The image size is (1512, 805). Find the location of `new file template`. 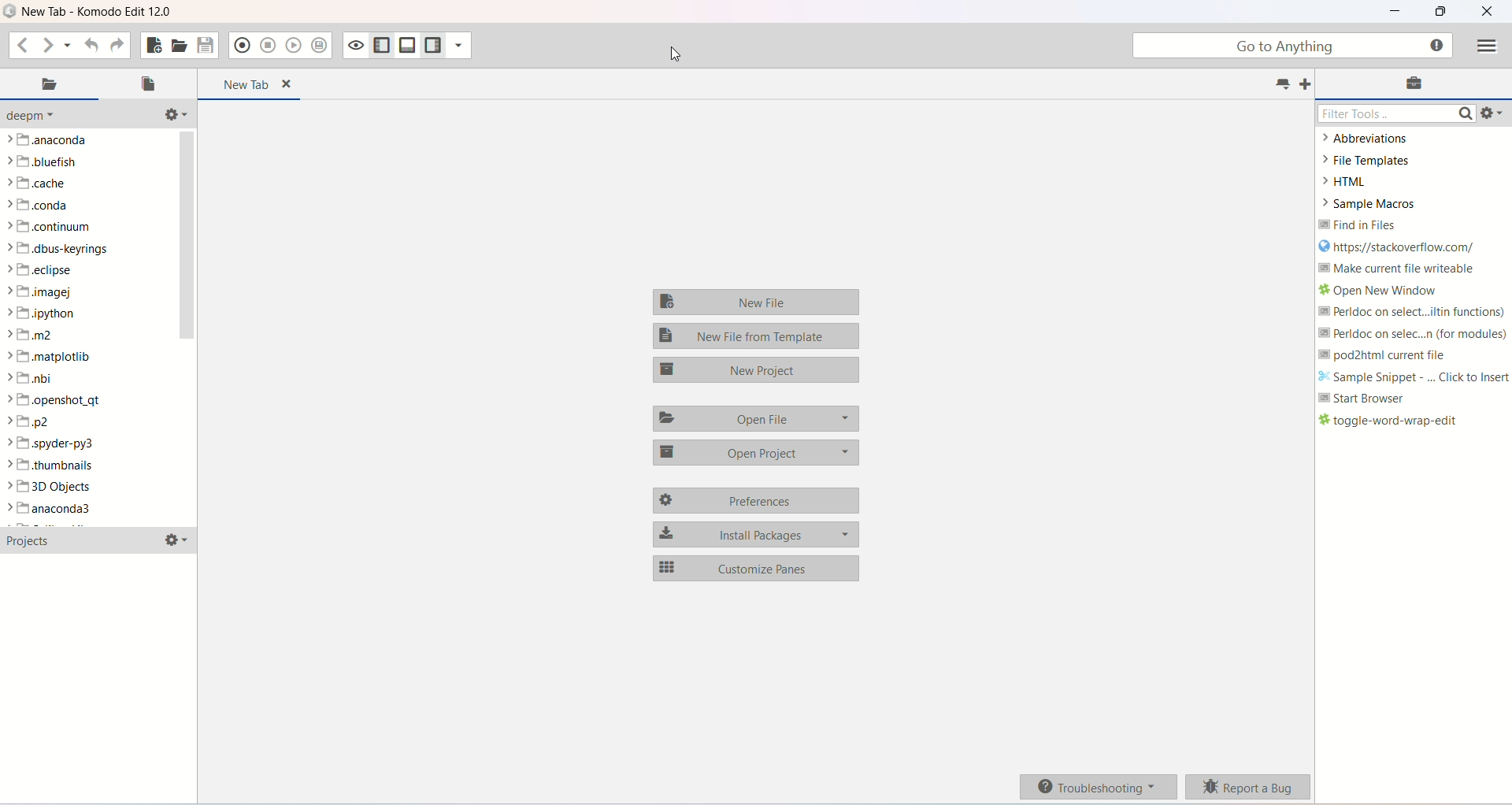

new file template is located at coordinates (760, 336).